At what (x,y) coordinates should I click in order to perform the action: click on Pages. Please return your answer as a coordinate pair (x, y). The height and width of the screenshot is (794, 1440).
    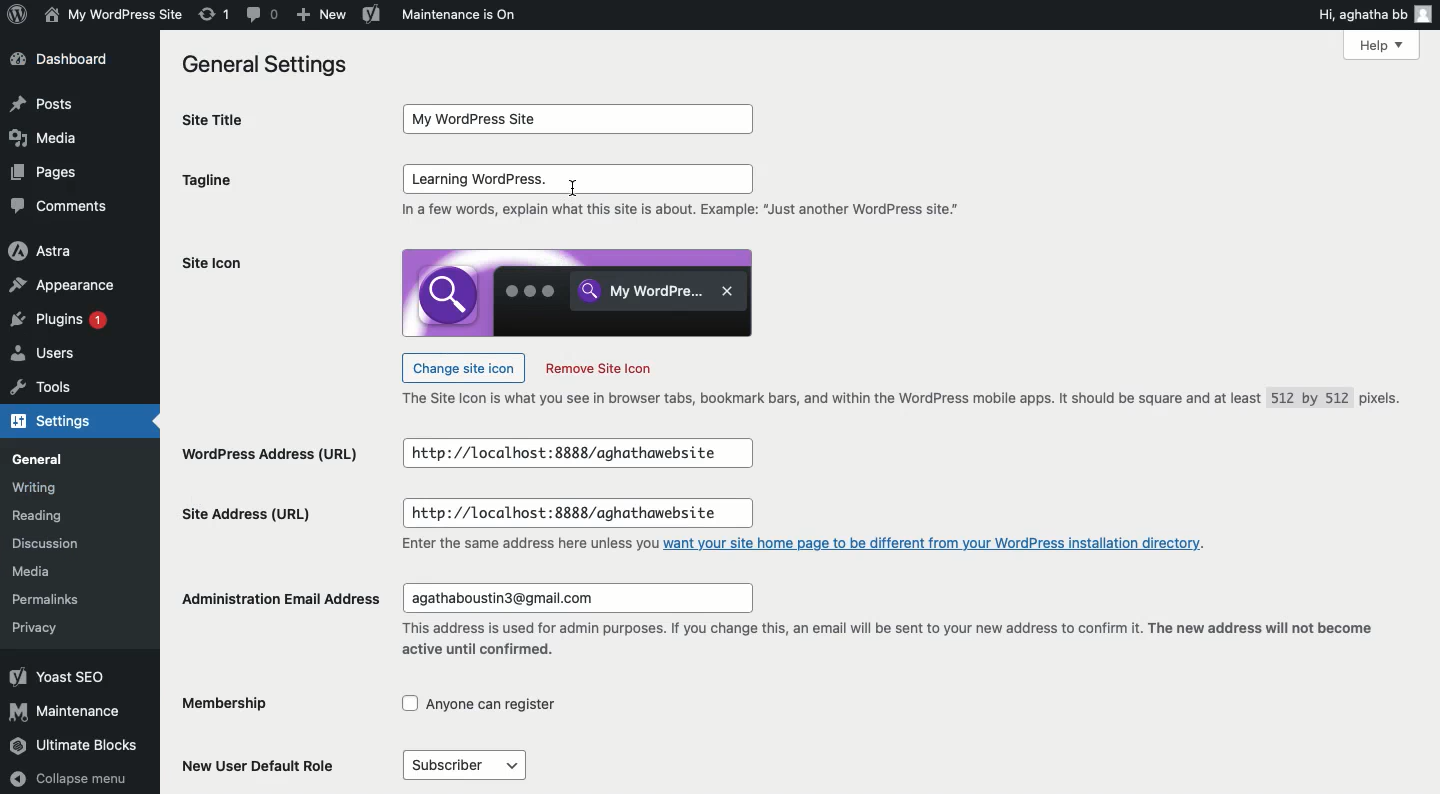
    Looking at the image, I should click on (49, 172).